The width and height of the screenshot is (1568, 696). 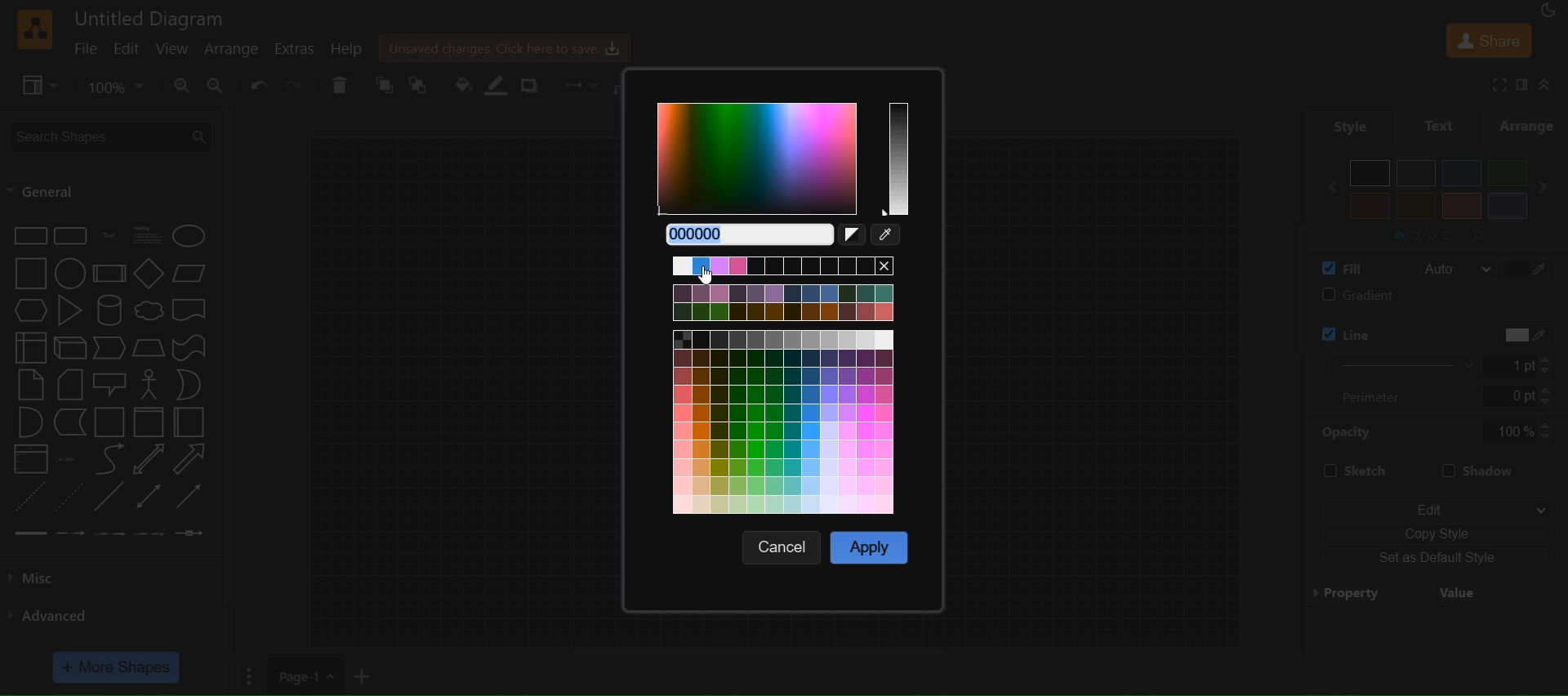 I want to click on shadow, so click(x=534, y=84).